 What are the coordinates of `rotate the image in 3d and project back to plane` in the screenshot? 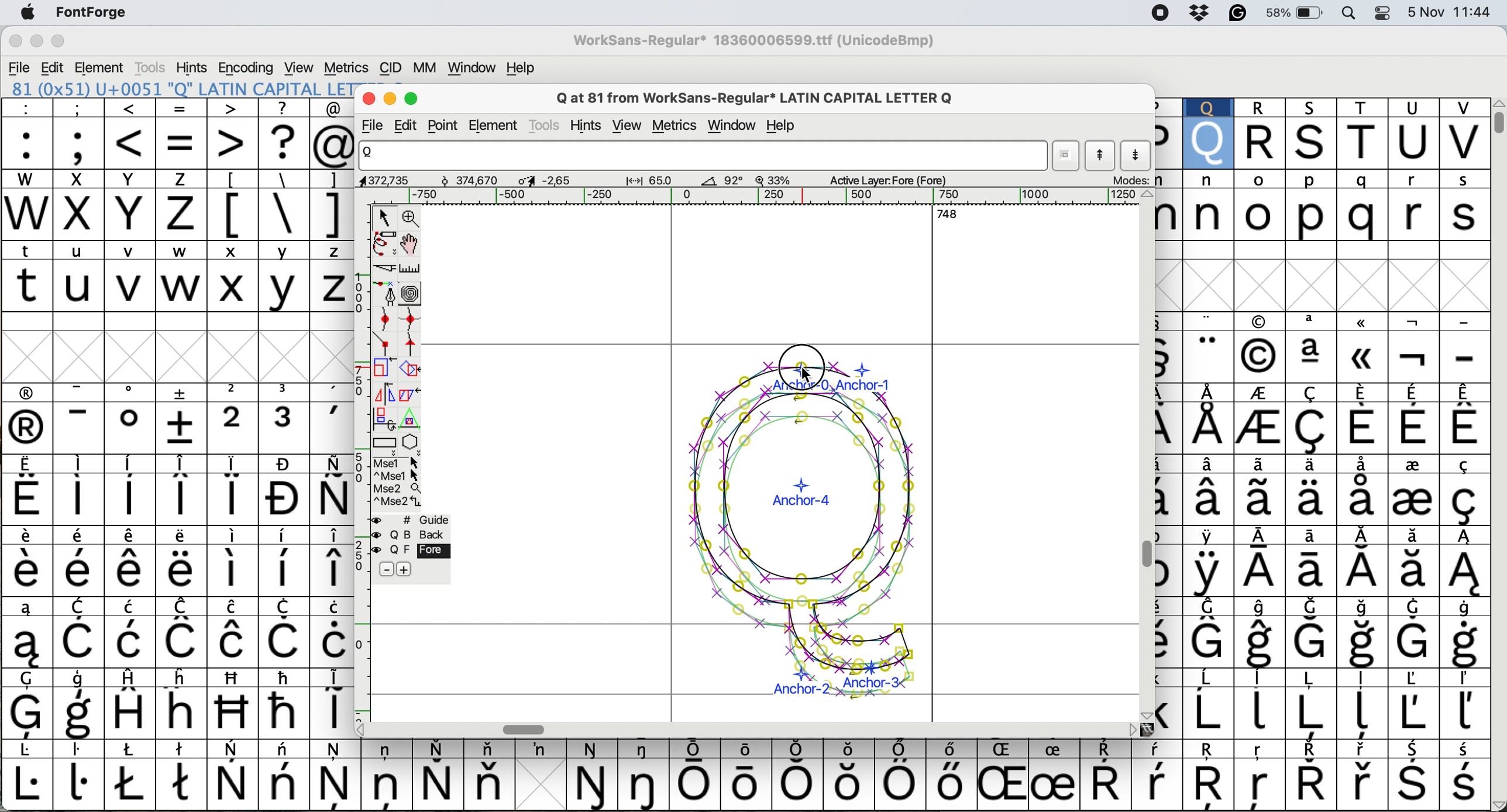 It's located at (383, 420).